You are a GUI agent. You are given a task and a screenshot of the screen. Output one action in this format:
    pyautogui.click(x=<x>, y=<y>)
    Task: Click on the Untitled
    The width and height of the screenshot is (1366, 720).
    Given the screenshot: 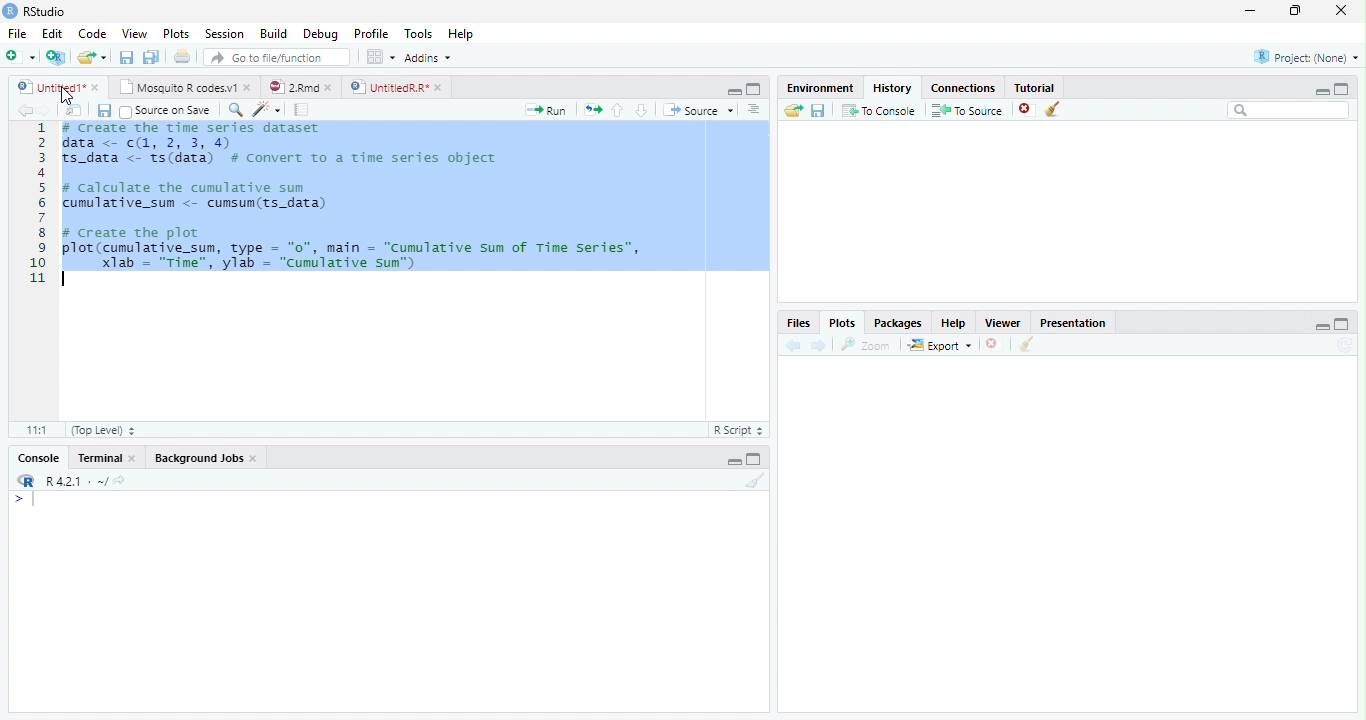 What is the action you would take?
    pyautogui.click(x=58, y=88)
    